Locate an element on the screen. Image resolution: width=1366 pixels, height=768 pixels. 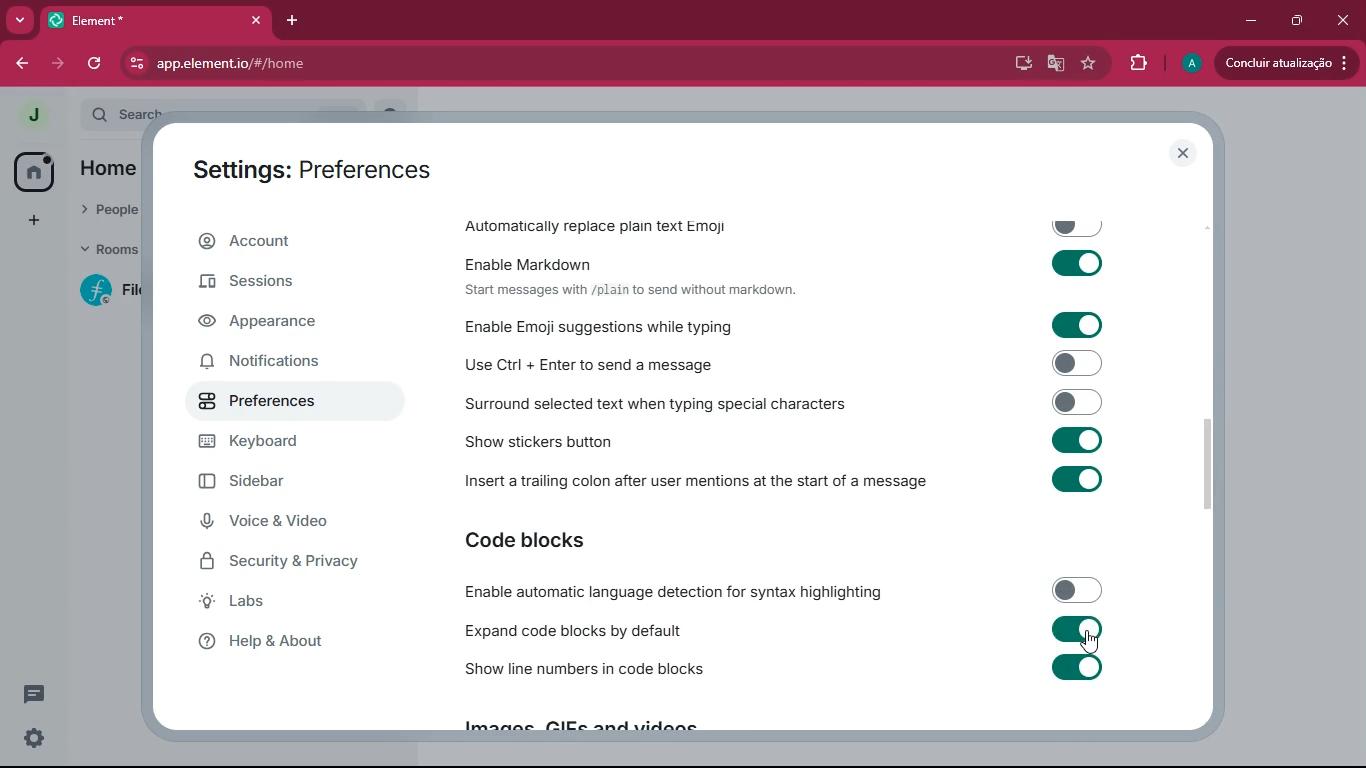
rooms is located at coordinates (103, 252).